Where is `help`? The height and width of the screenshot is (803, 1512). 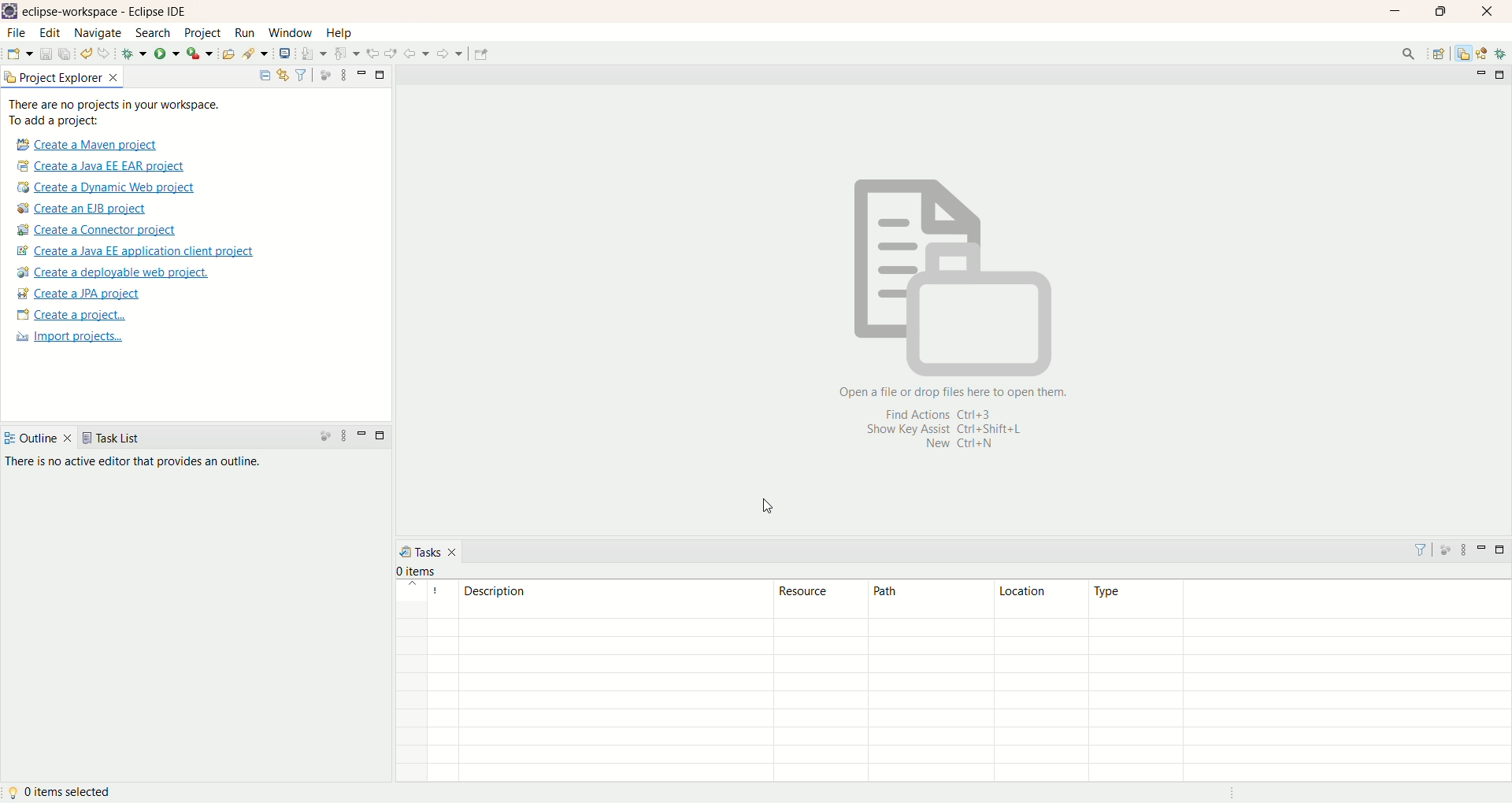 help is located at coordinates (340, 33).